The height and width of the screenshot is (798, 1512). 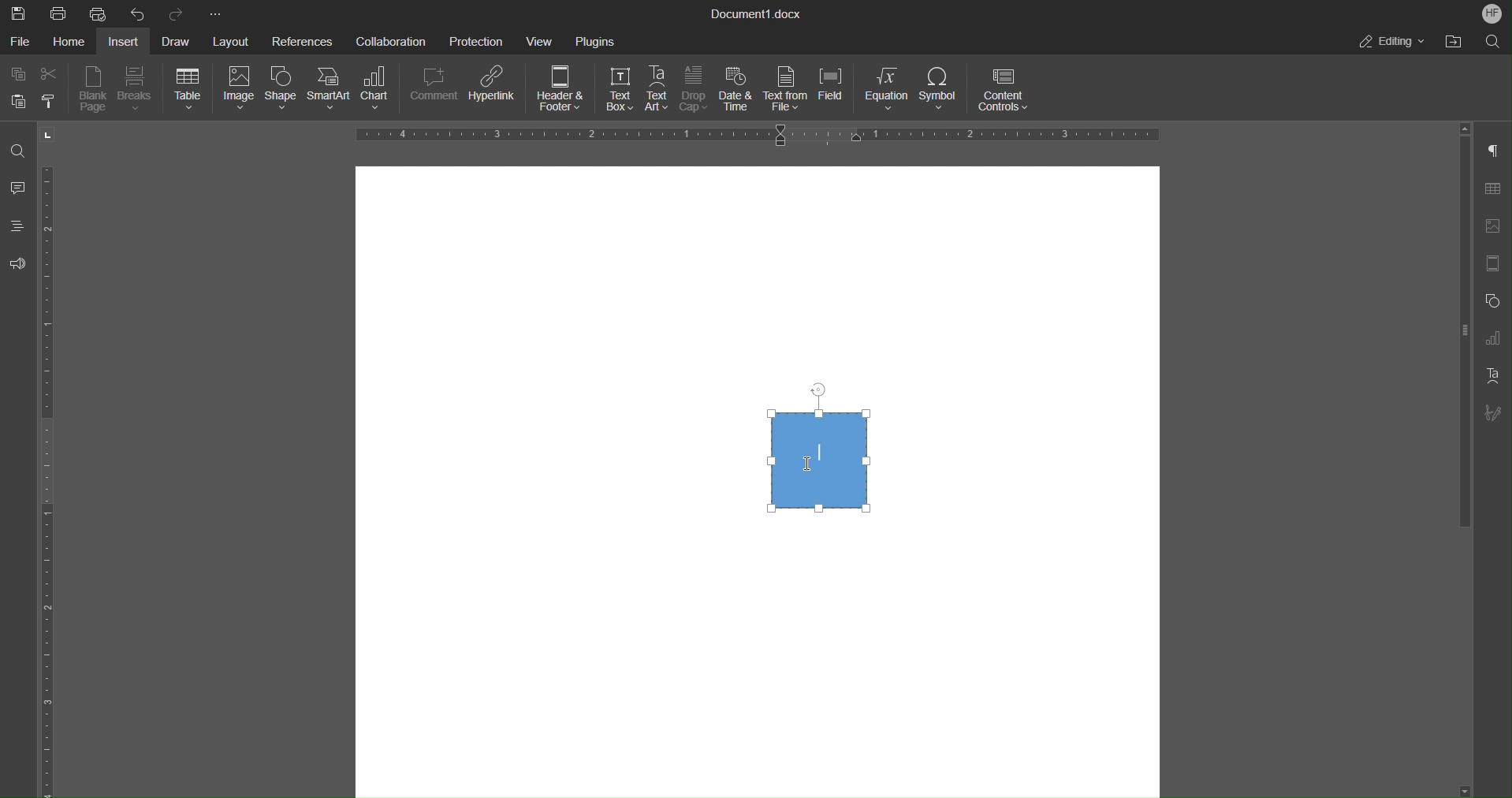 I want to click on Document1.docx, so click(x=758, y=15).